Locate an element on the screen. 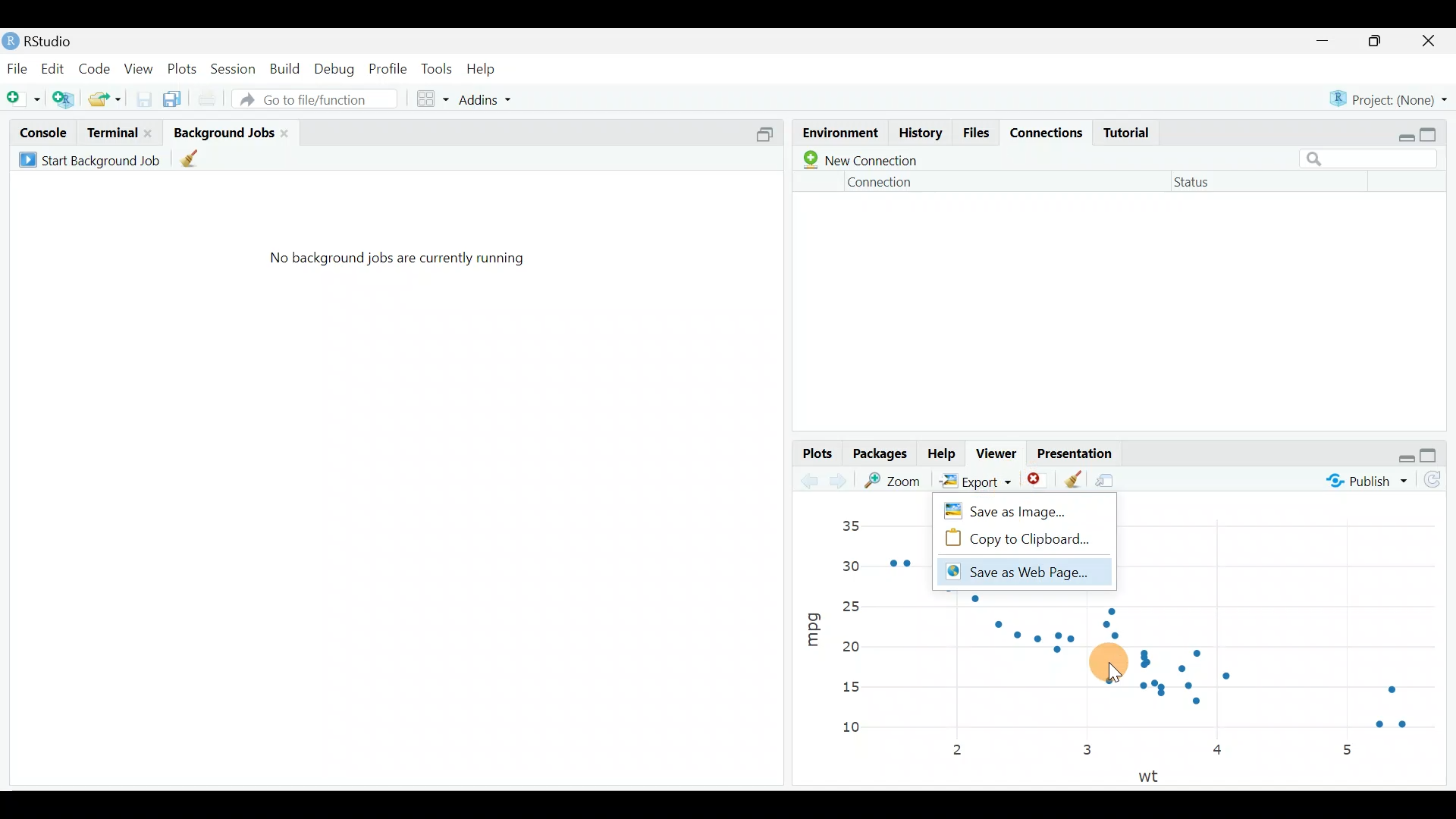 The height and width of the screenshot is (819, 1456). Session is located at coordinates (235, 67).